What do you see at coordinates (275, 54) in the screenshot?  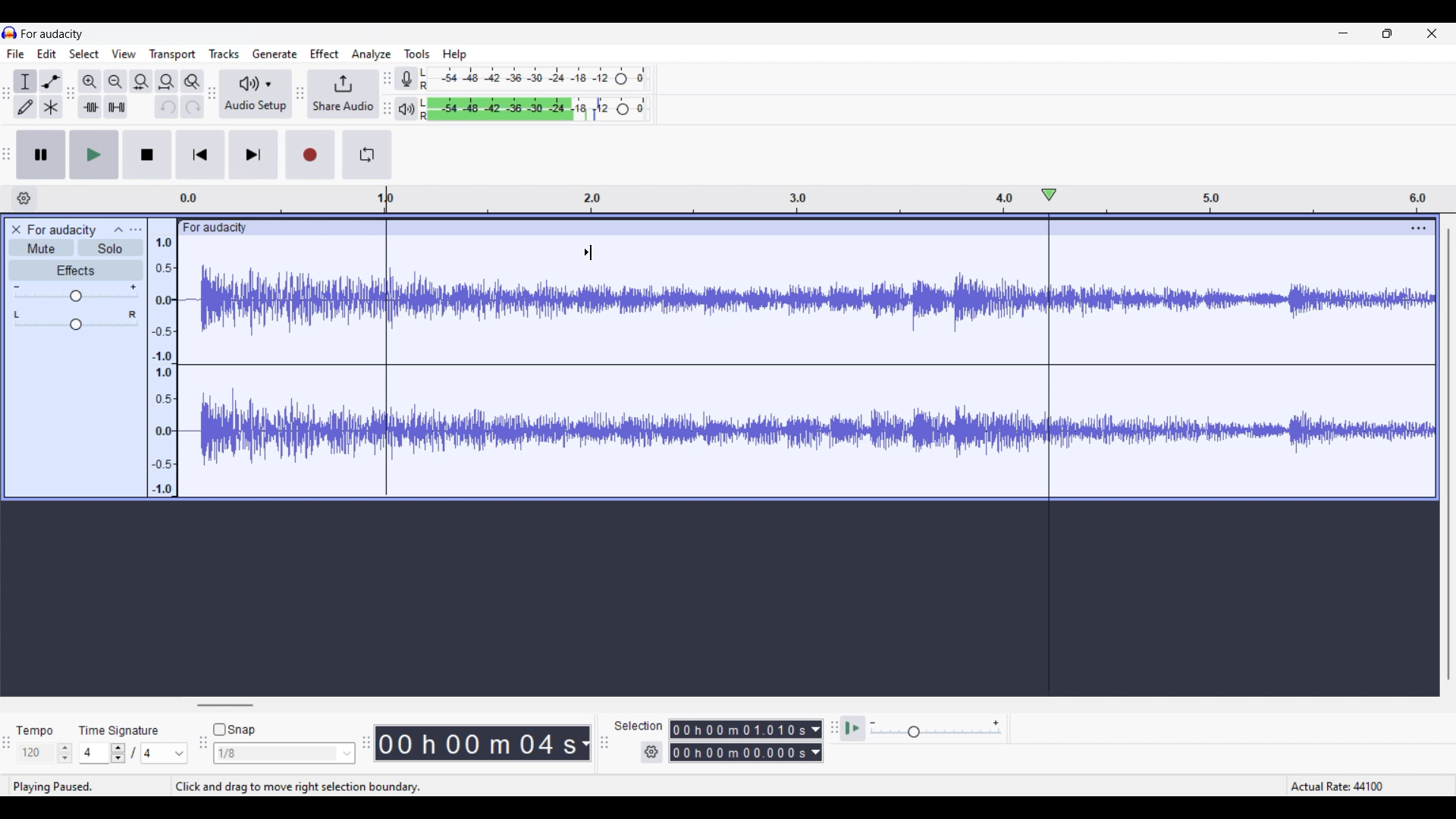 I see `Generate menu` at bounding box center [275, 54].